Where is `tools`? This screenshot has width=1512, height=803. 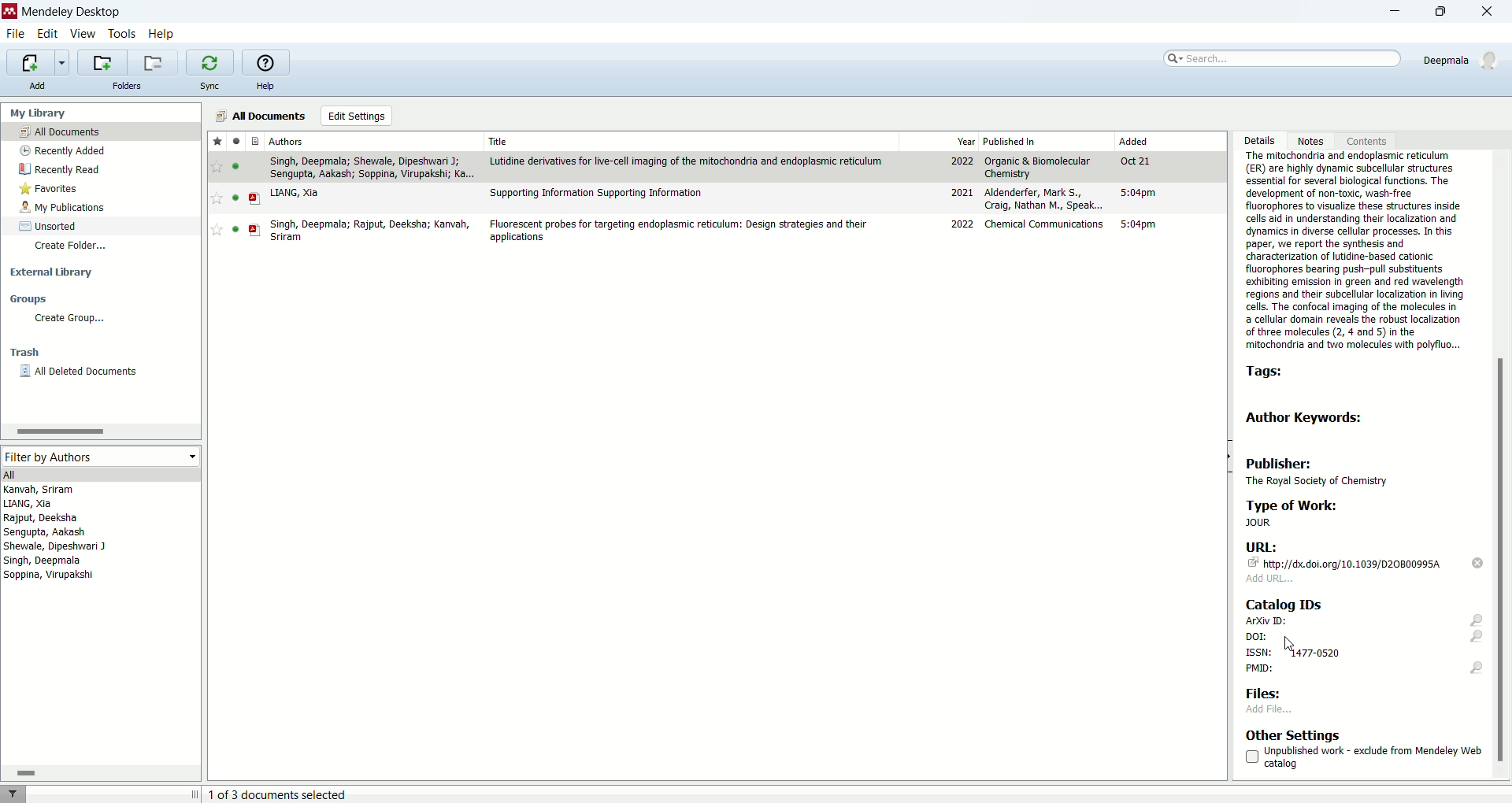
tools is located at coordinates (123, 35).